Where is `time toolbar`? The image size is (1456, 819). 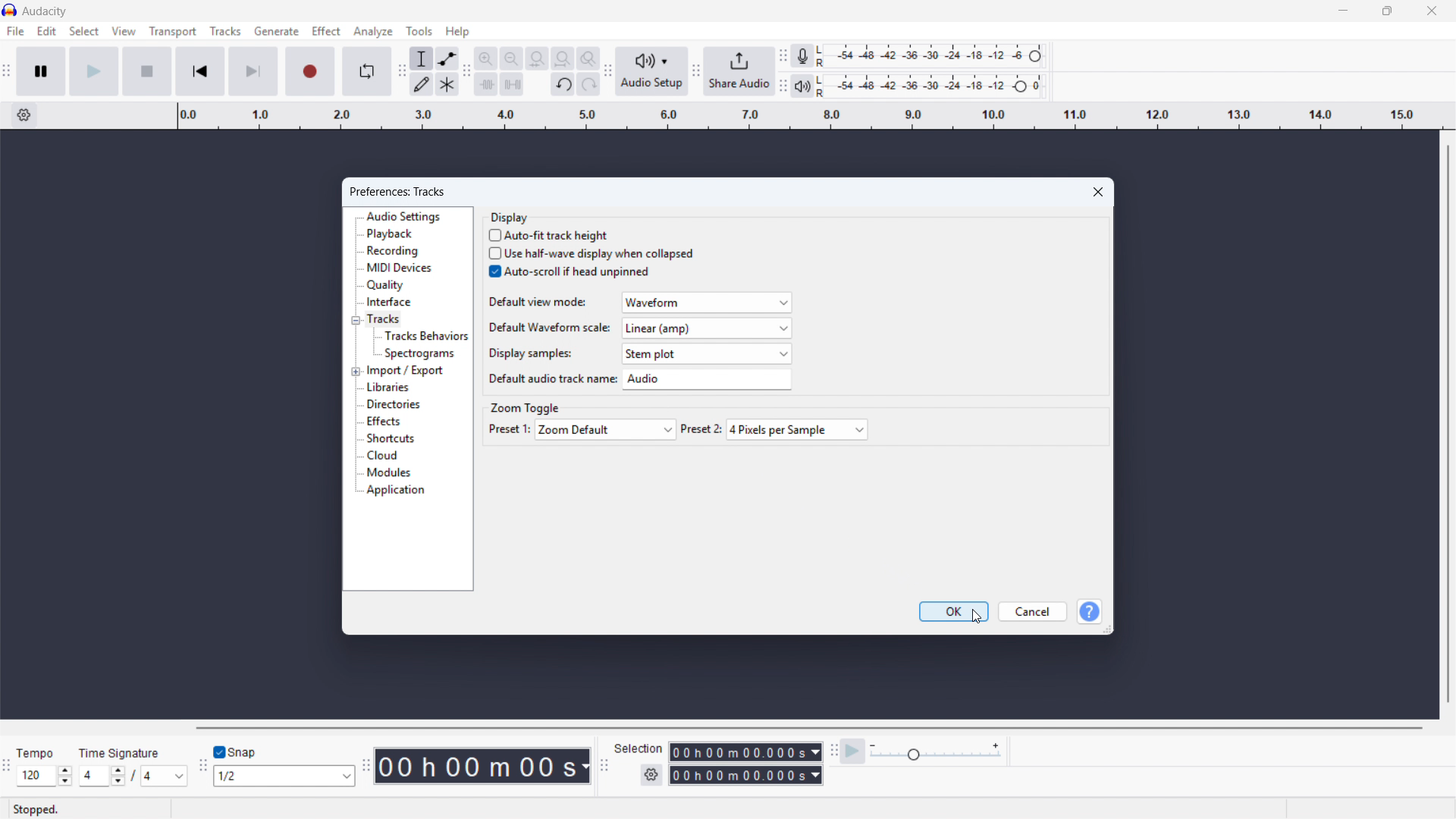 time toolbar is located at coordinates (364, 767).